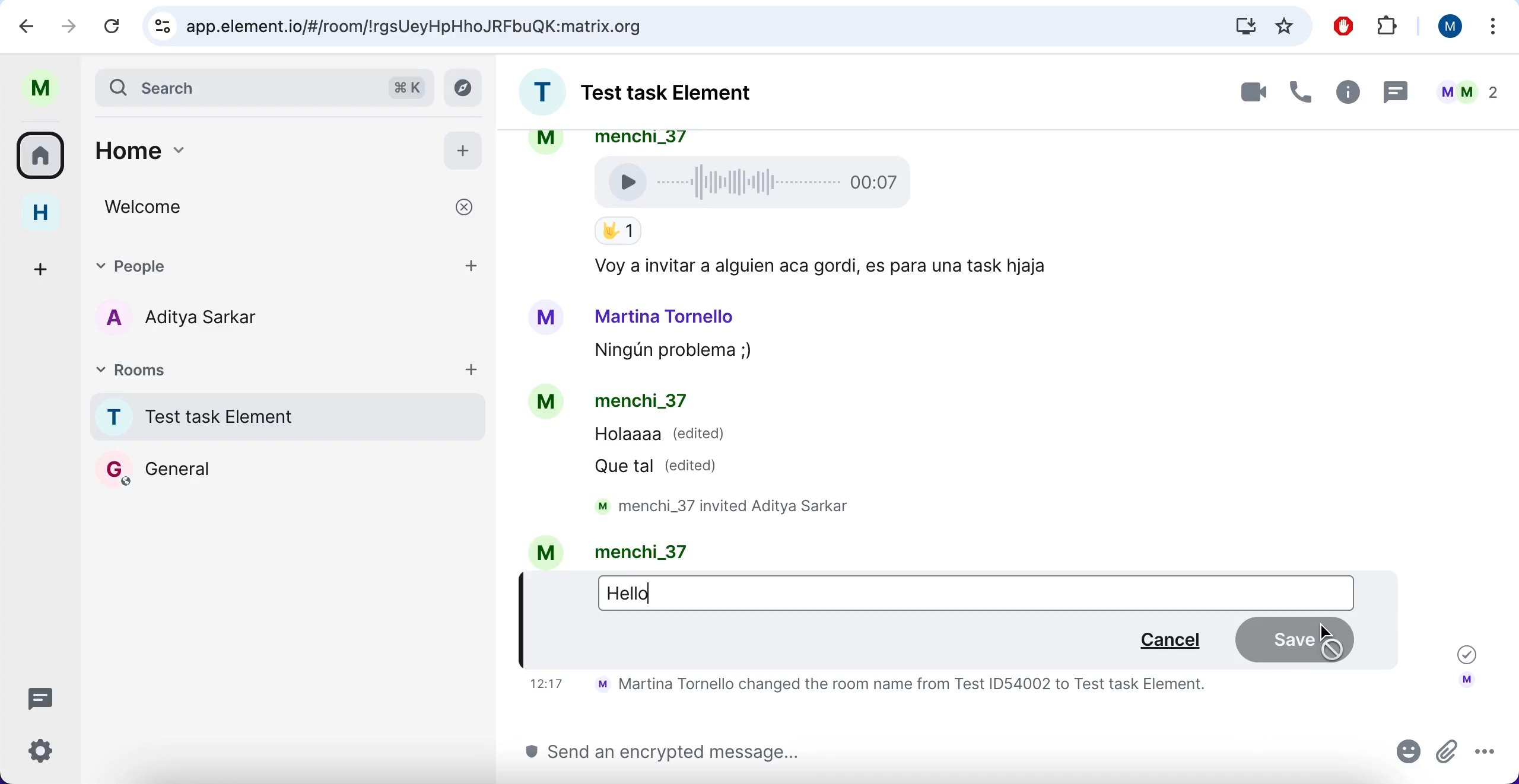 This screenshot has width=1519, height=784. What do you see at coordinates (545, 685) in the screenshot?
I see `time` at bounding box center [545, 685].